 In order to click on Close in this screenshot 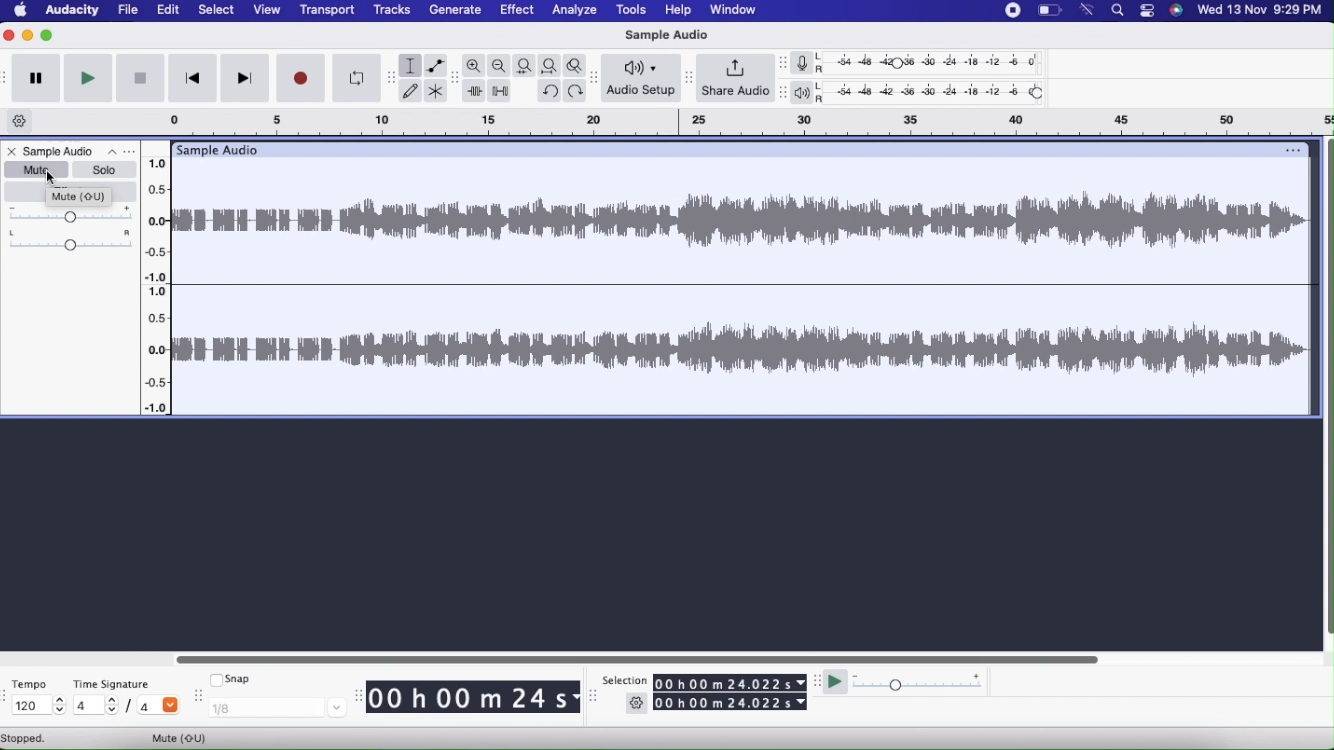, I will do `click(8, 36)`.